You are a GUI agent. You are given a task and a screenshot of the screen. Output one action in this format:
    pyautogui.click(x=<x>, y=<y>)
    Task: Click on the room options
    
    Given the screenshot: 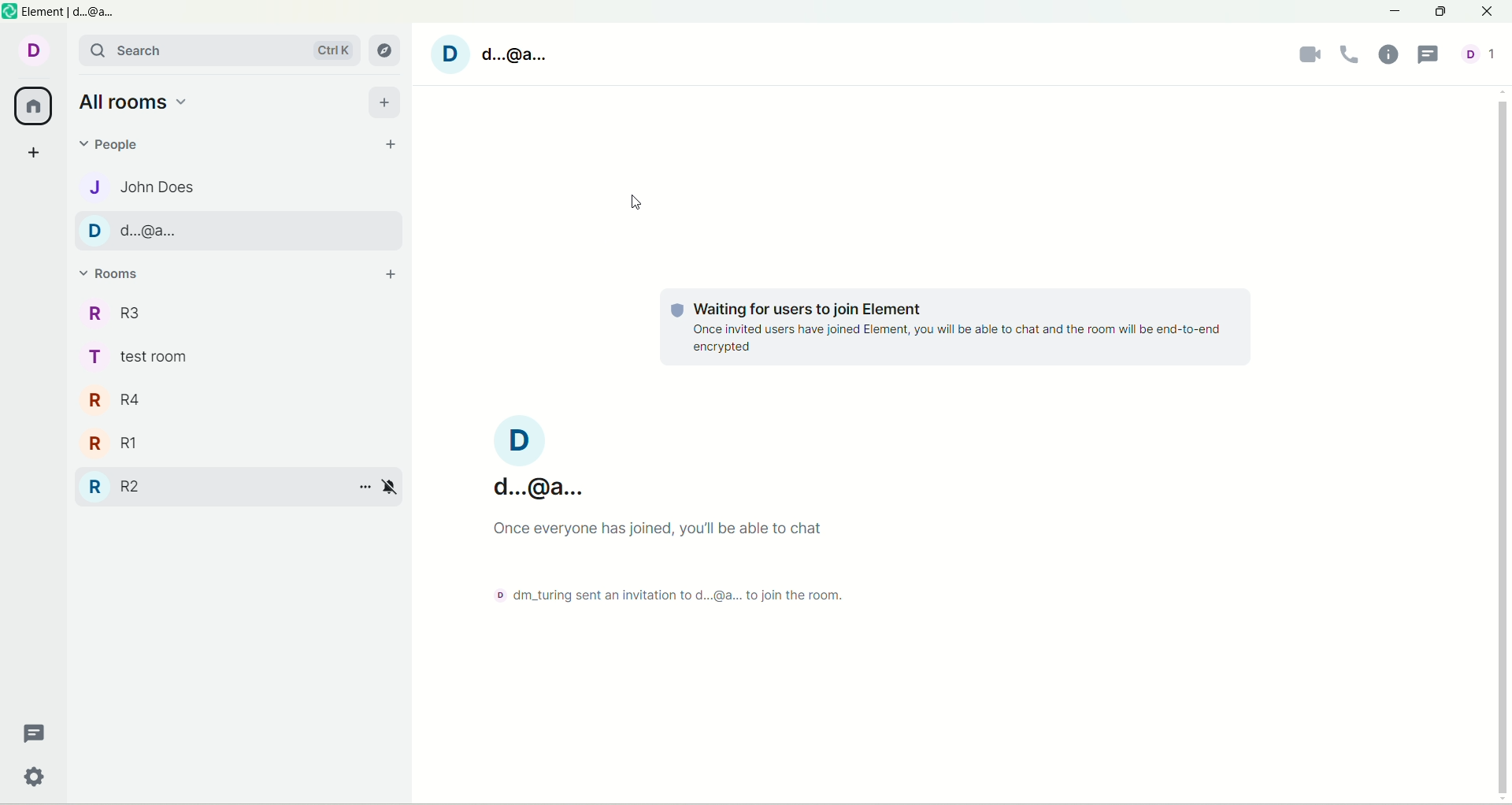 What is the action you would take?
    pyautogui.click(x=362, y=487)
    